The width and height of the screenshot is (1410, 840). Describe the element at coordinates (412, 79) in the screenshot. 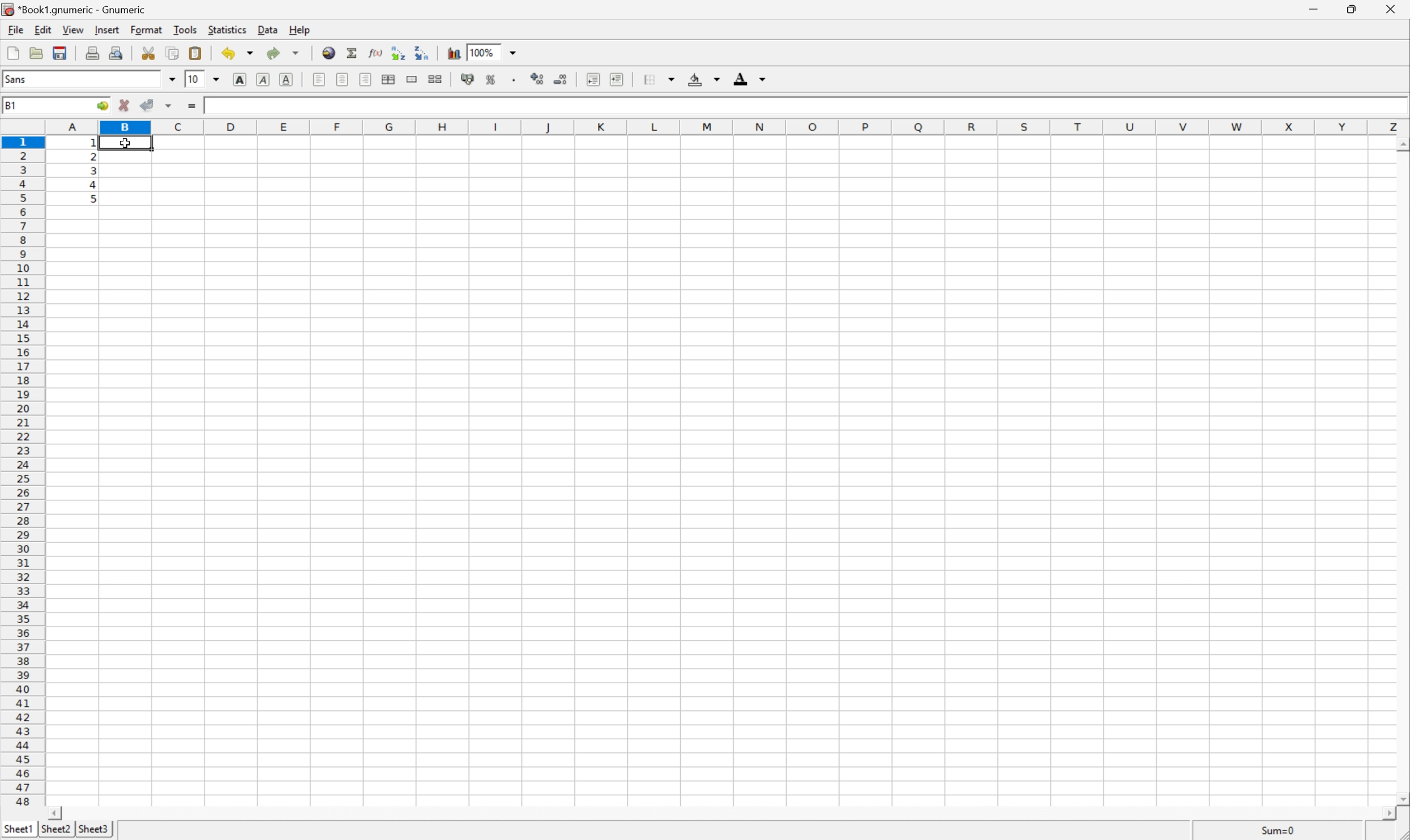

I see `Merge range of cells` at that location.